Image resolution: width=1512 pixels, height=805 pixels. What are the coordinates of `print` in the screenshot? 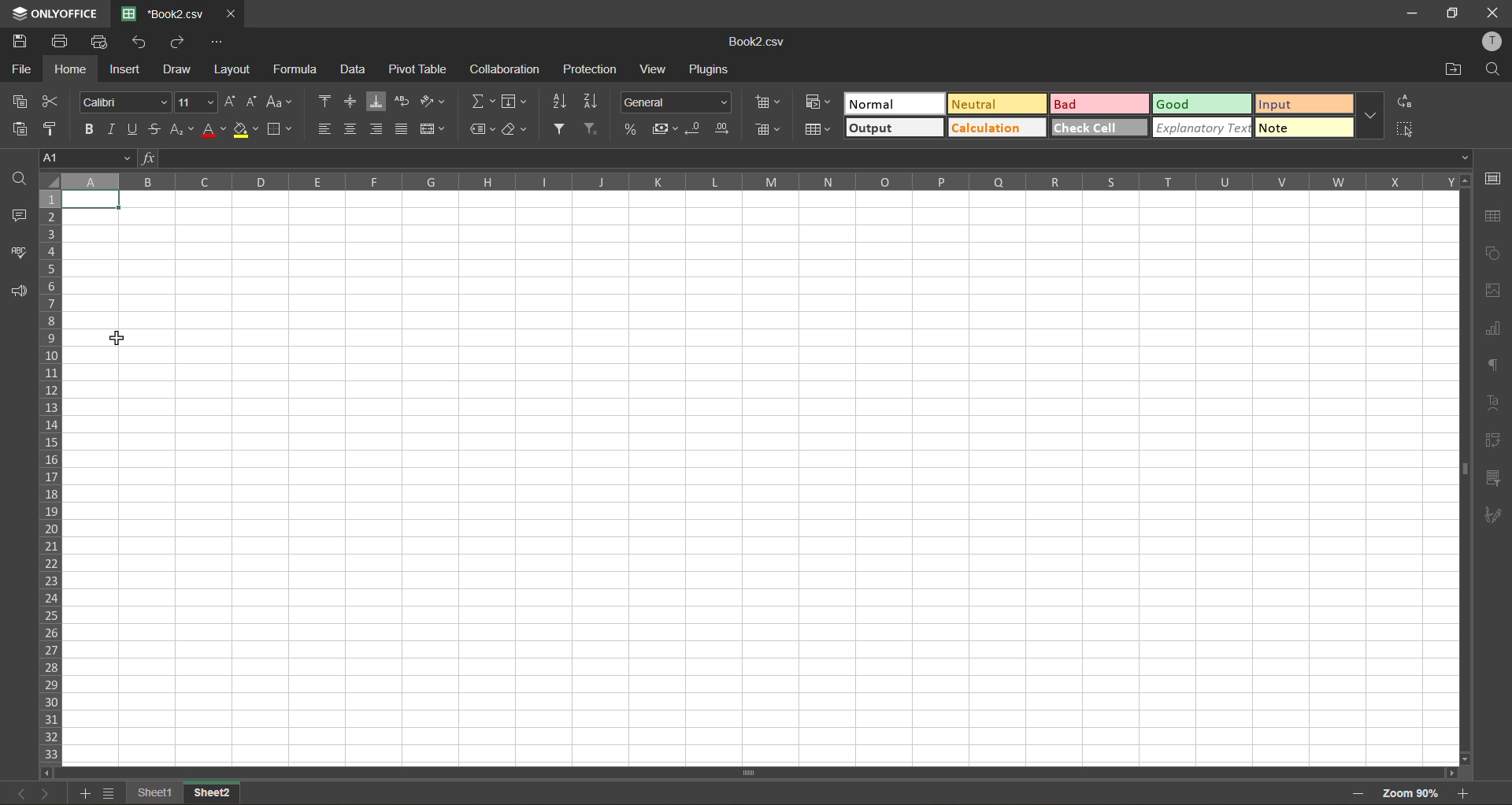 It's located at (59, 40).